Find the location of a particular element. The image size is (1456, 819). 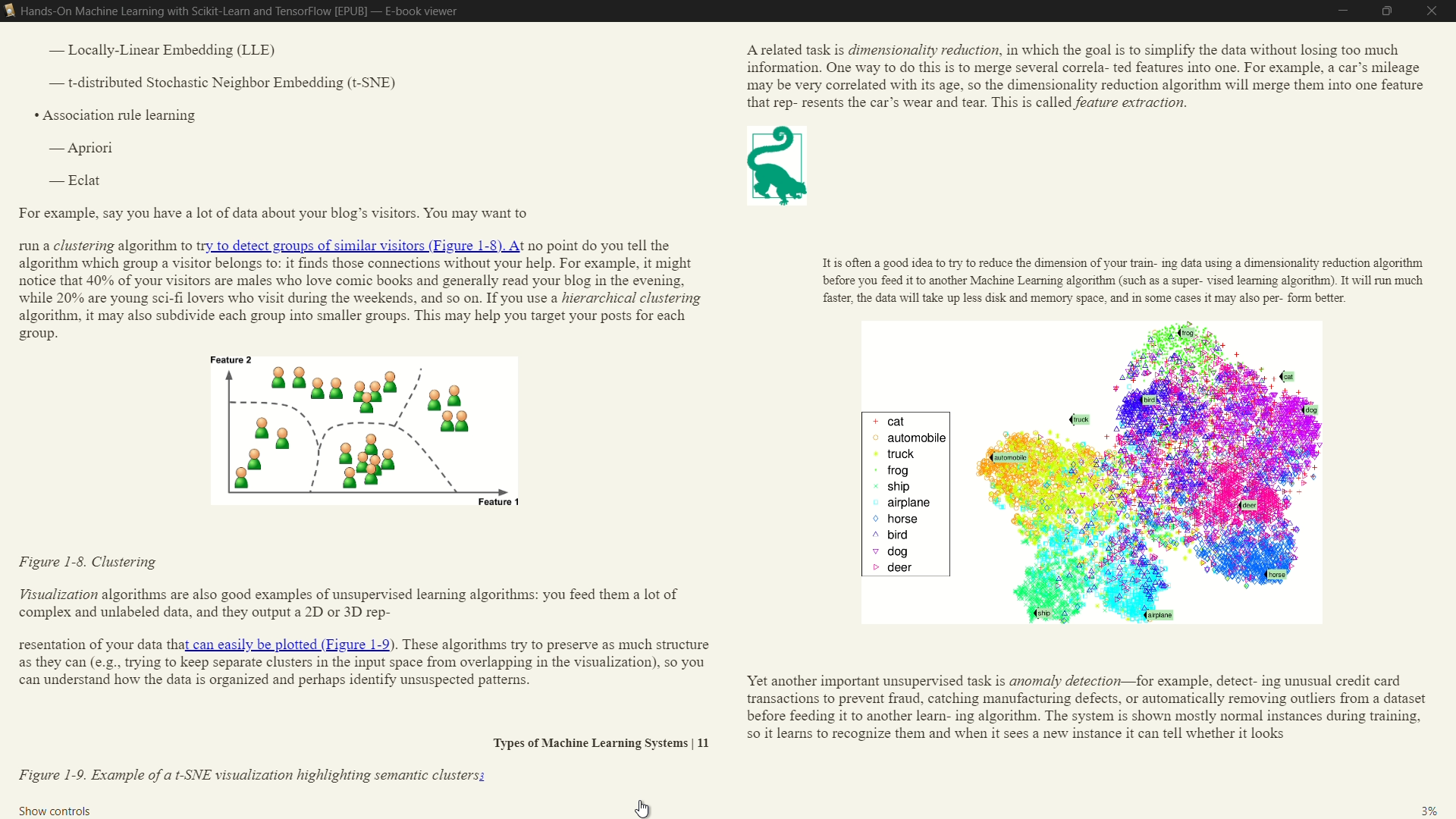

minimize is located at coordinates (1343, 11).